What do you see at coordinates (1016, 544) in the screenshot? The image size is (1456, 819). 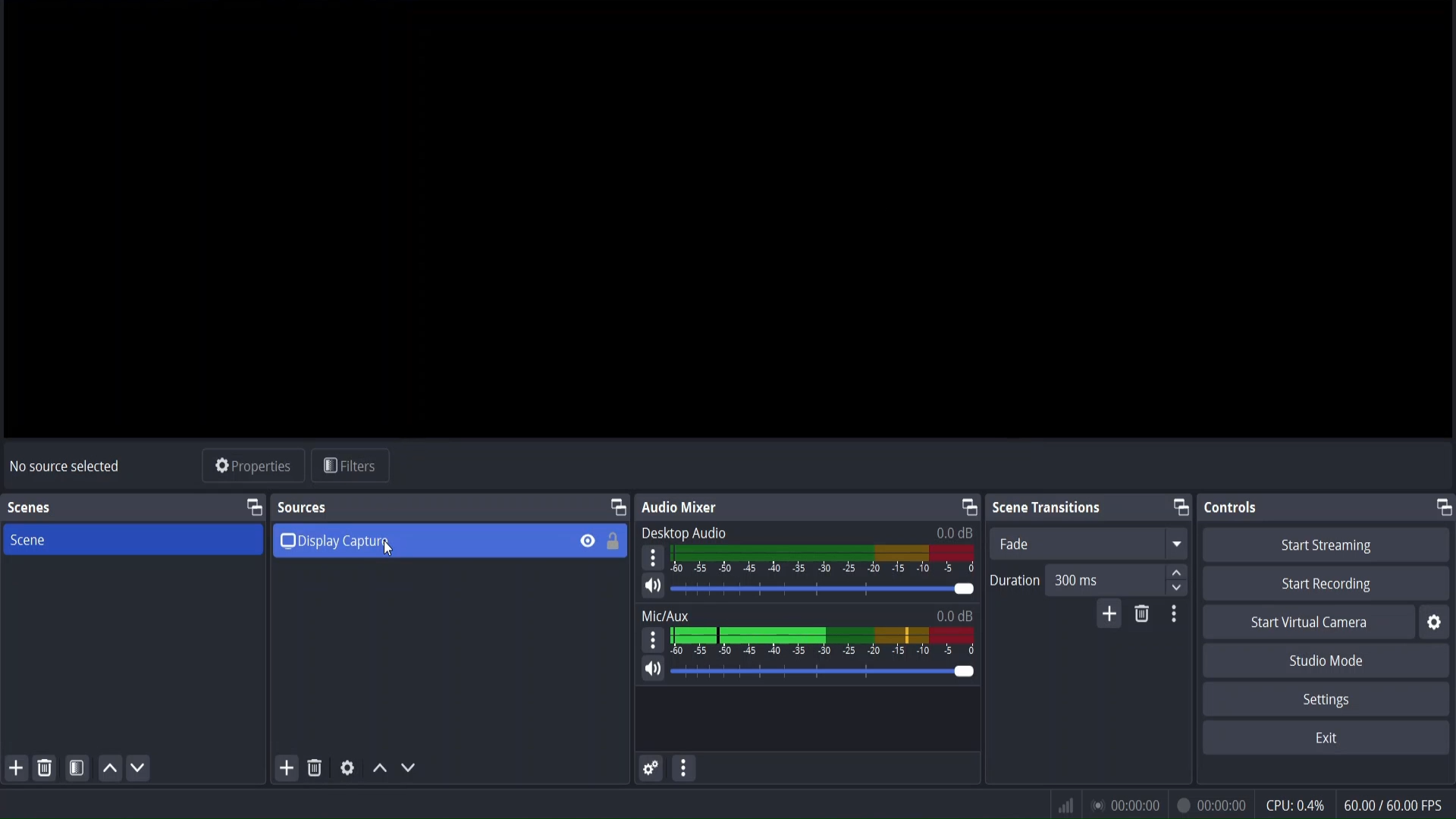 I see `fade` at bounding box center [1016, 544].